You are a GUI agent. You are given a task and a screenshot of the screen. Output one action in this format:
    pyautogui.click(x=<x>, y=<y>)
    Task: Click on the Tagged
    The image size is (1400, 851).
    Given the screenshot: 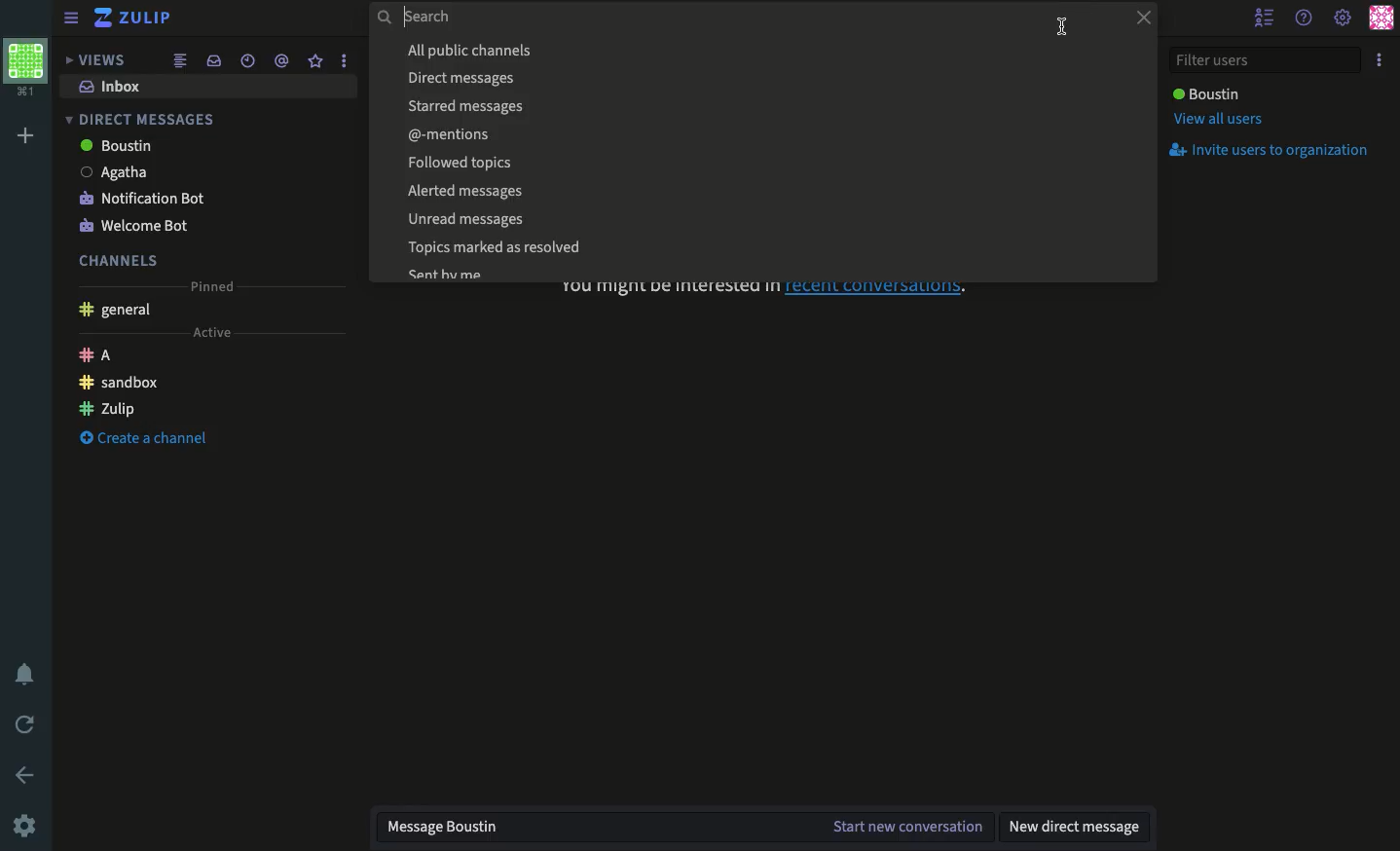 What is the action you would take?
    pyautogui.click(x=280, y=61)
    